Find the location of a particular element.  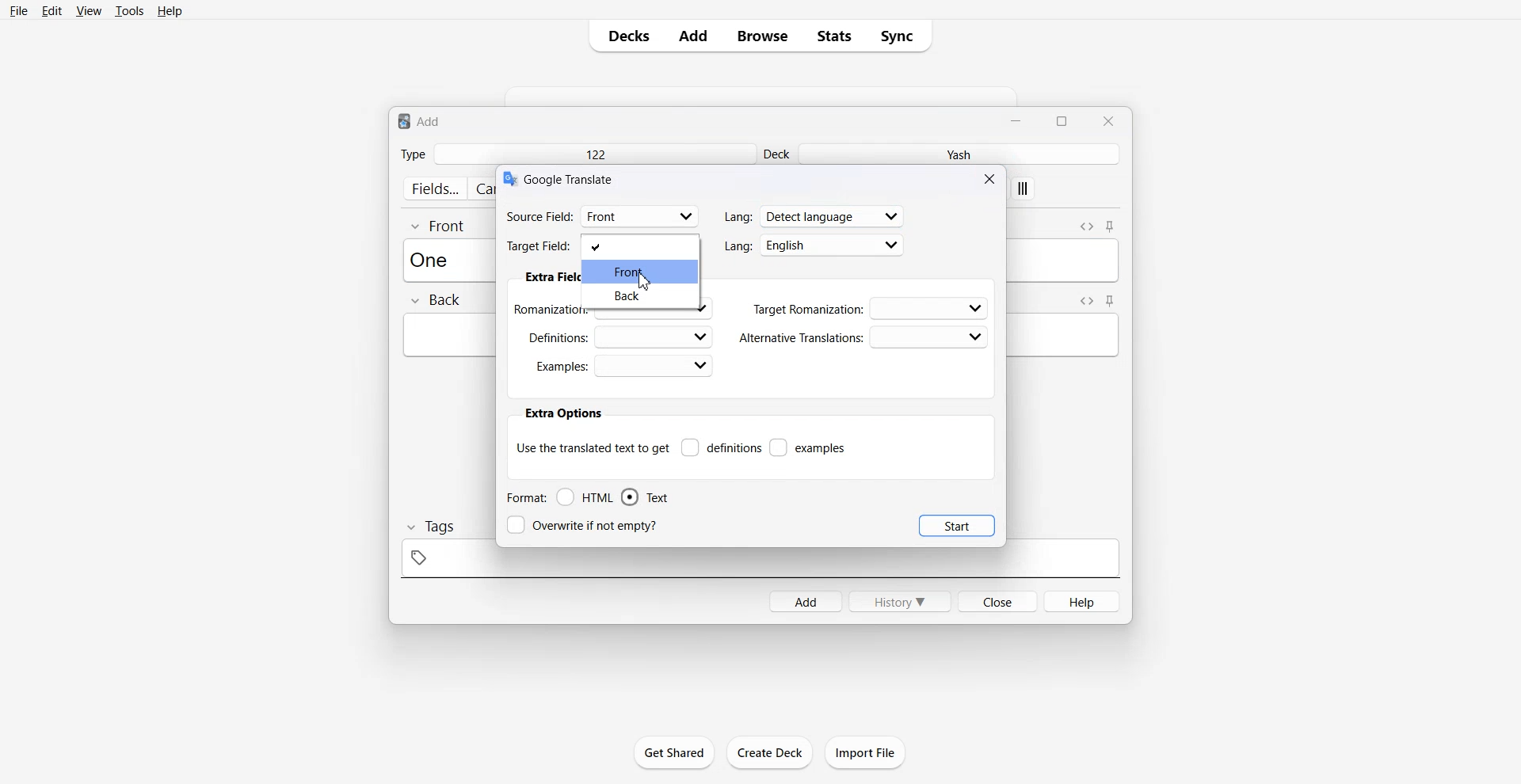

Edit is located at coordinates (51, 10).